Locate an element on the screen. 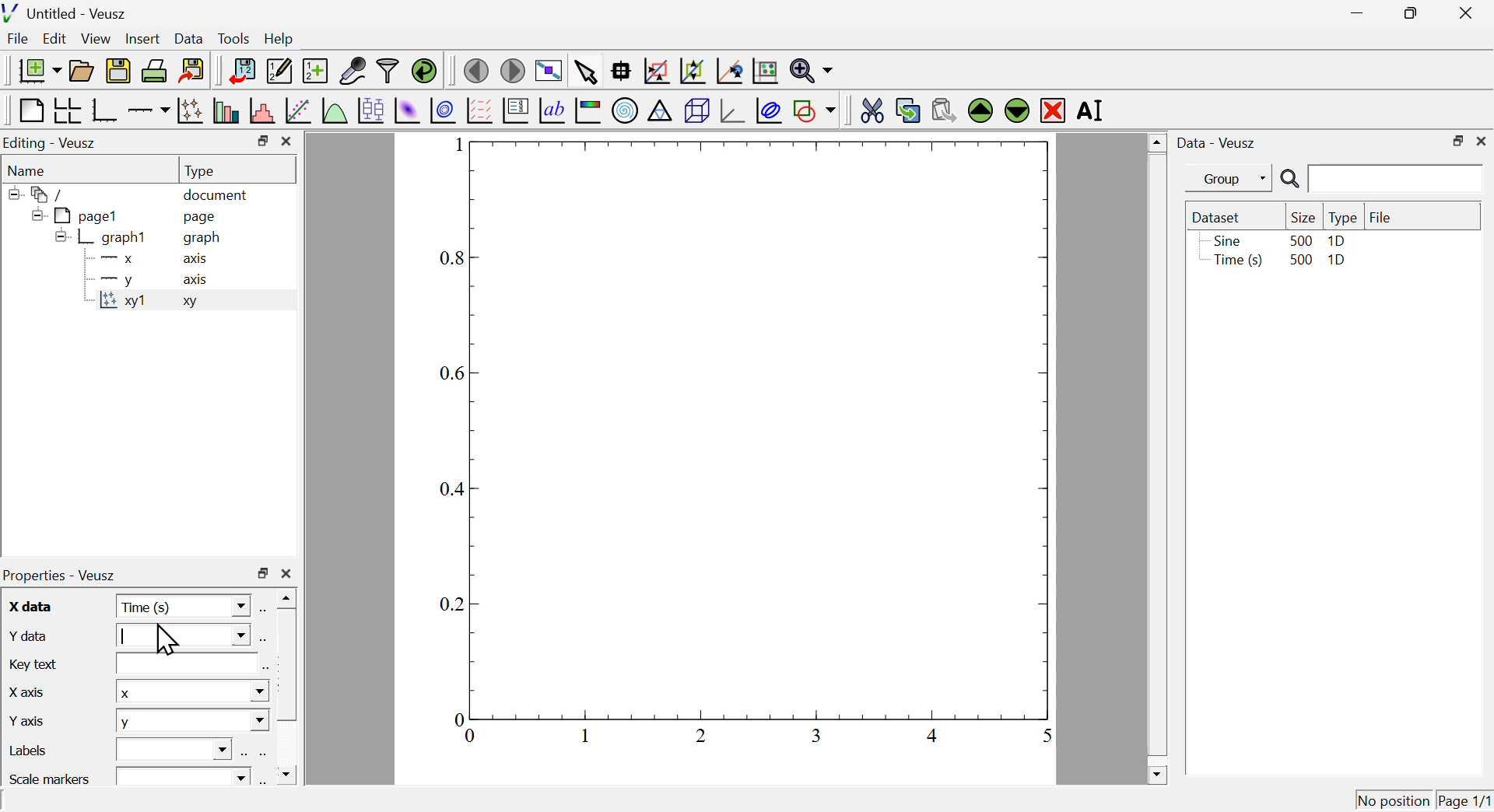 The width and height of the screenshot is (1494, 812). 1 is located at coordinates (1039, 736).